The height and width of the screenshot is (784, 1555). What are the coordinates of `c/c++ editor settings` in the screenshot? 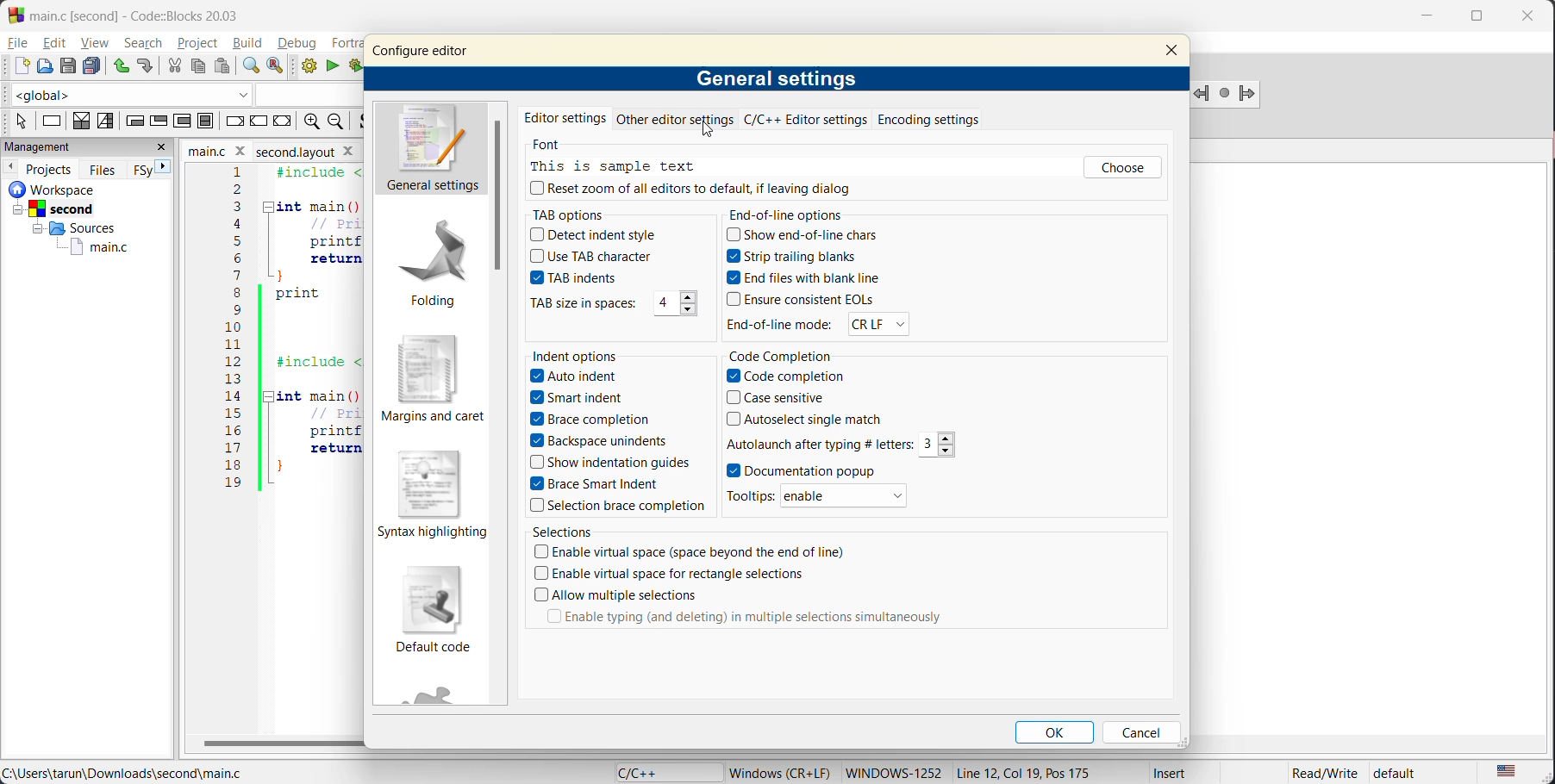 It's located at (802, 120).